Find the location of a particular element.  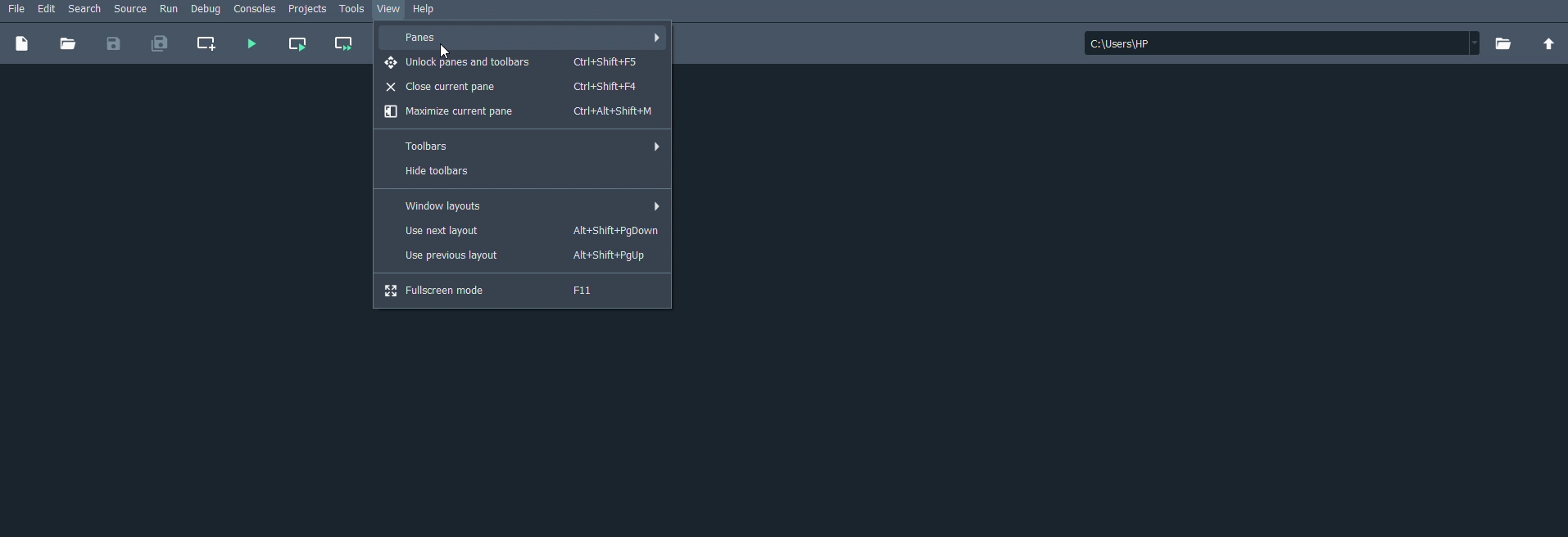

Unlock panes and toolbars is located at coordinates (514, 61).